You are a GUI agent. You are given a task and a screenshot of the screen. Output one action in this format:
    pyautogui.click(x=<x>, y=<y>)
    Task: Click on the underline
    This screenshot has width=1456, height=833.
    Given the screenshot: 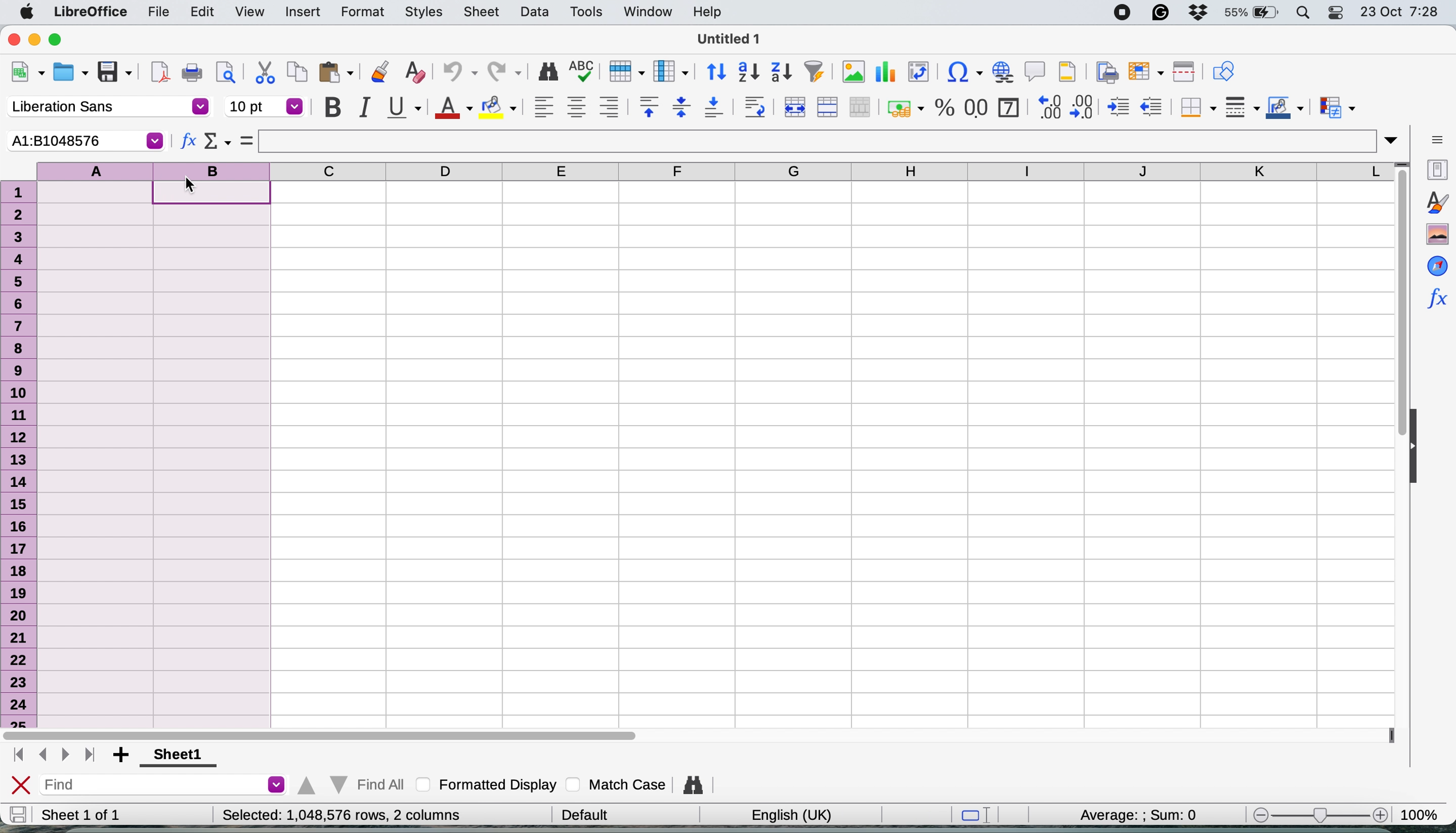 What is the action you would take?
    pyautogui.click(x=405, y=108)
    